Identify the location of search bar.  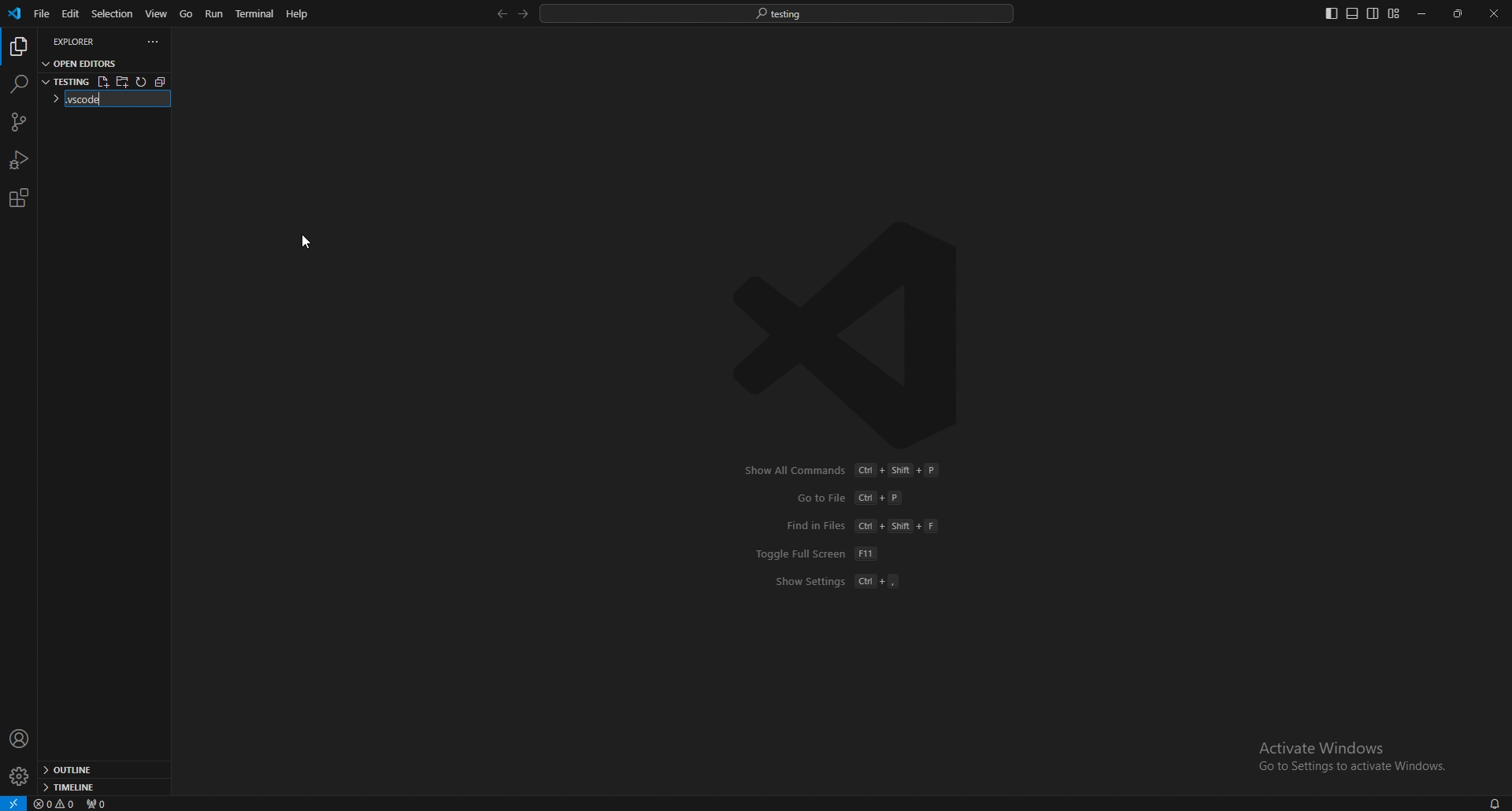
(777, 13).